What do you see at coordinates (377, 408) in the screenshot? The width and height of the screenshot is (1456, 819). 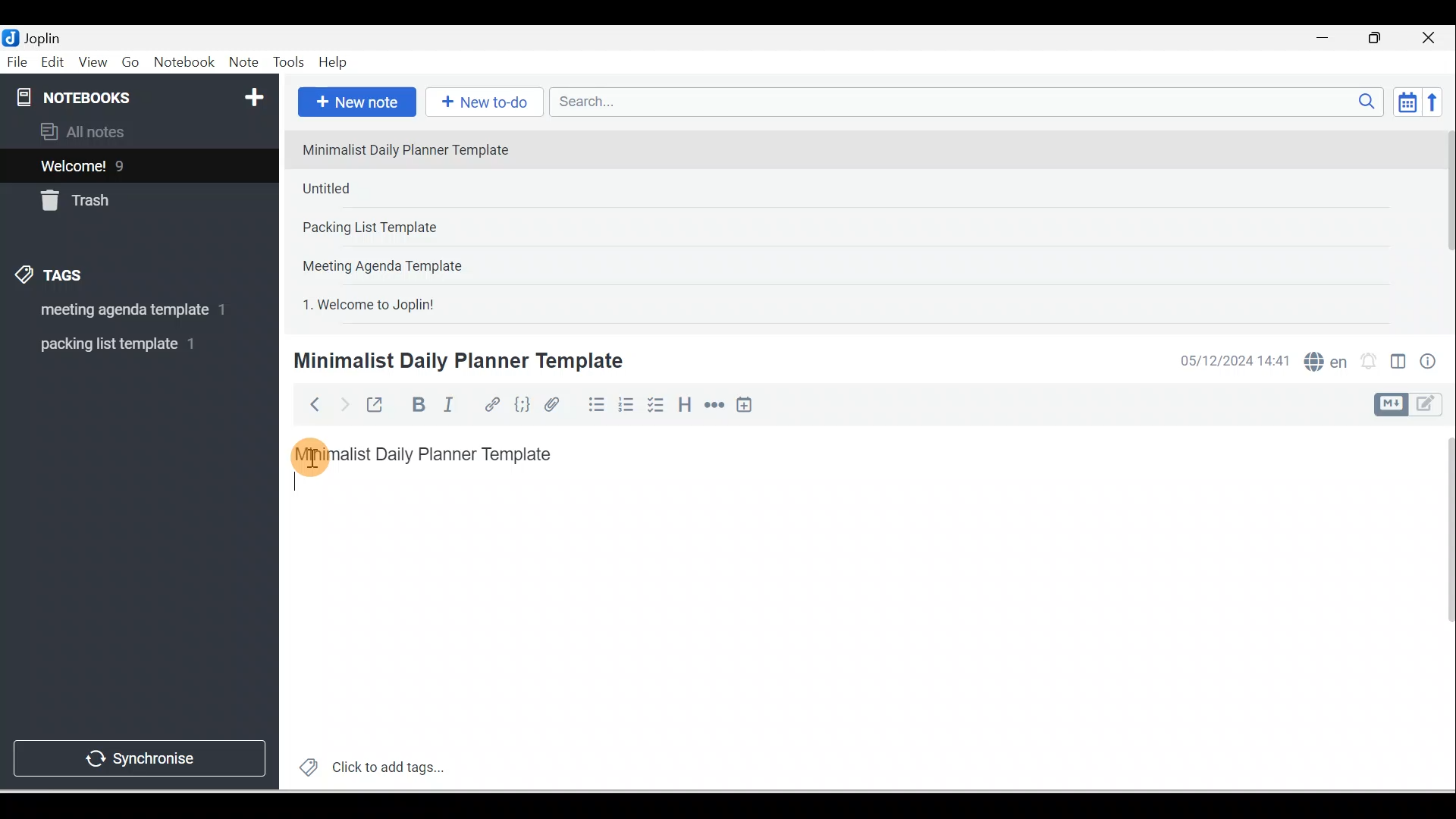 I see `Toggle external editing` at bounding box center [377, 408].